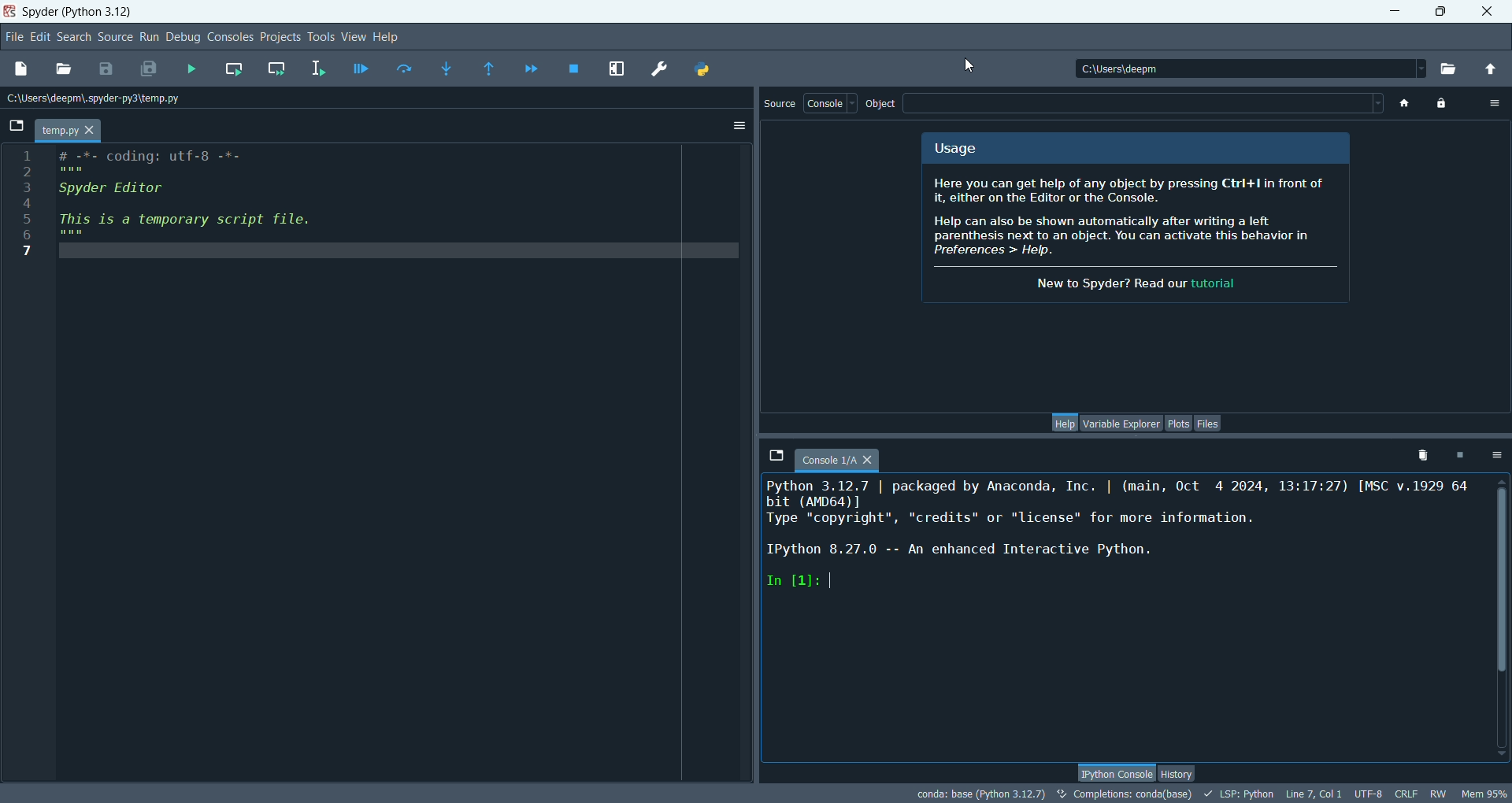 This screenshot has height=803, width=1512. I want to click on edit, so click(41, 37).